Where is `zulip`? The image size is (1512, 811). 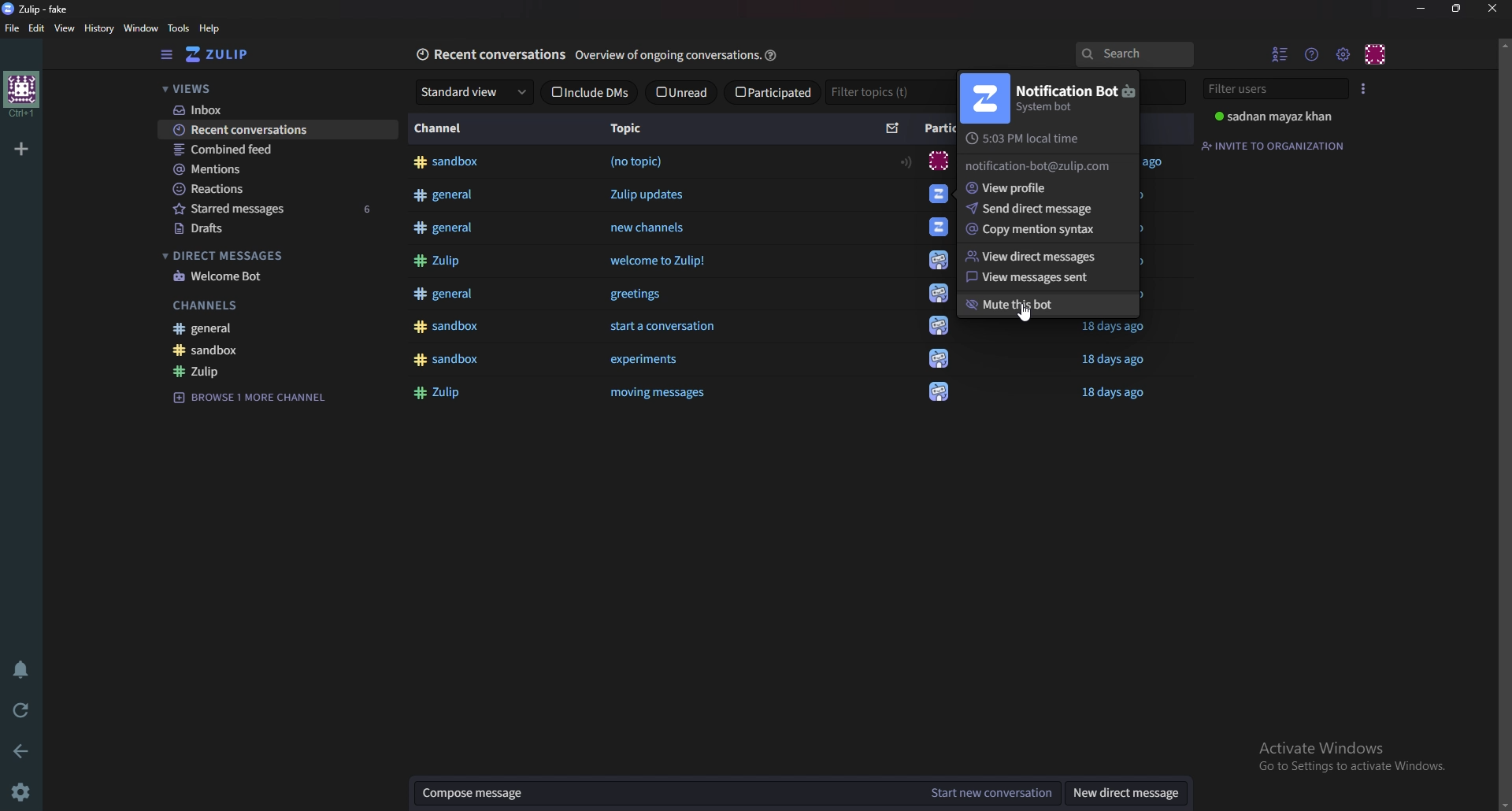 zulip is located at coordinates (261, 369).